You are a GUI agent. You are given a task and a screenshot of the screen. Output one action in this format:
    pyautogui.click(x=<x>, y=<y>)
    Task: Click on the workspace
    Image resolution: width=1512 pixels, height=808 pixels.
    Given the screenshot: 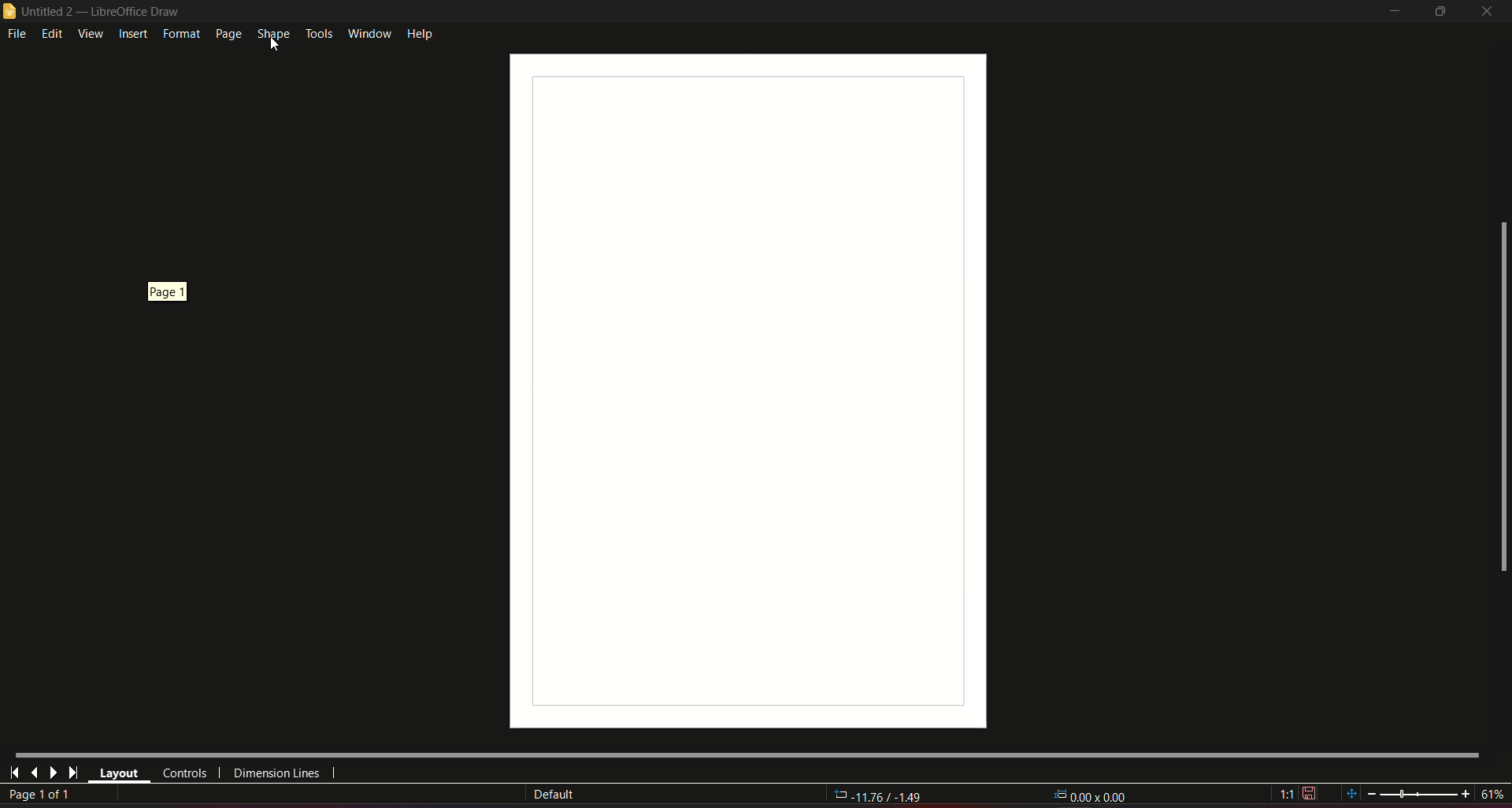 What is the action you would take?
    pyautogui.click(x=737, y=385)
    